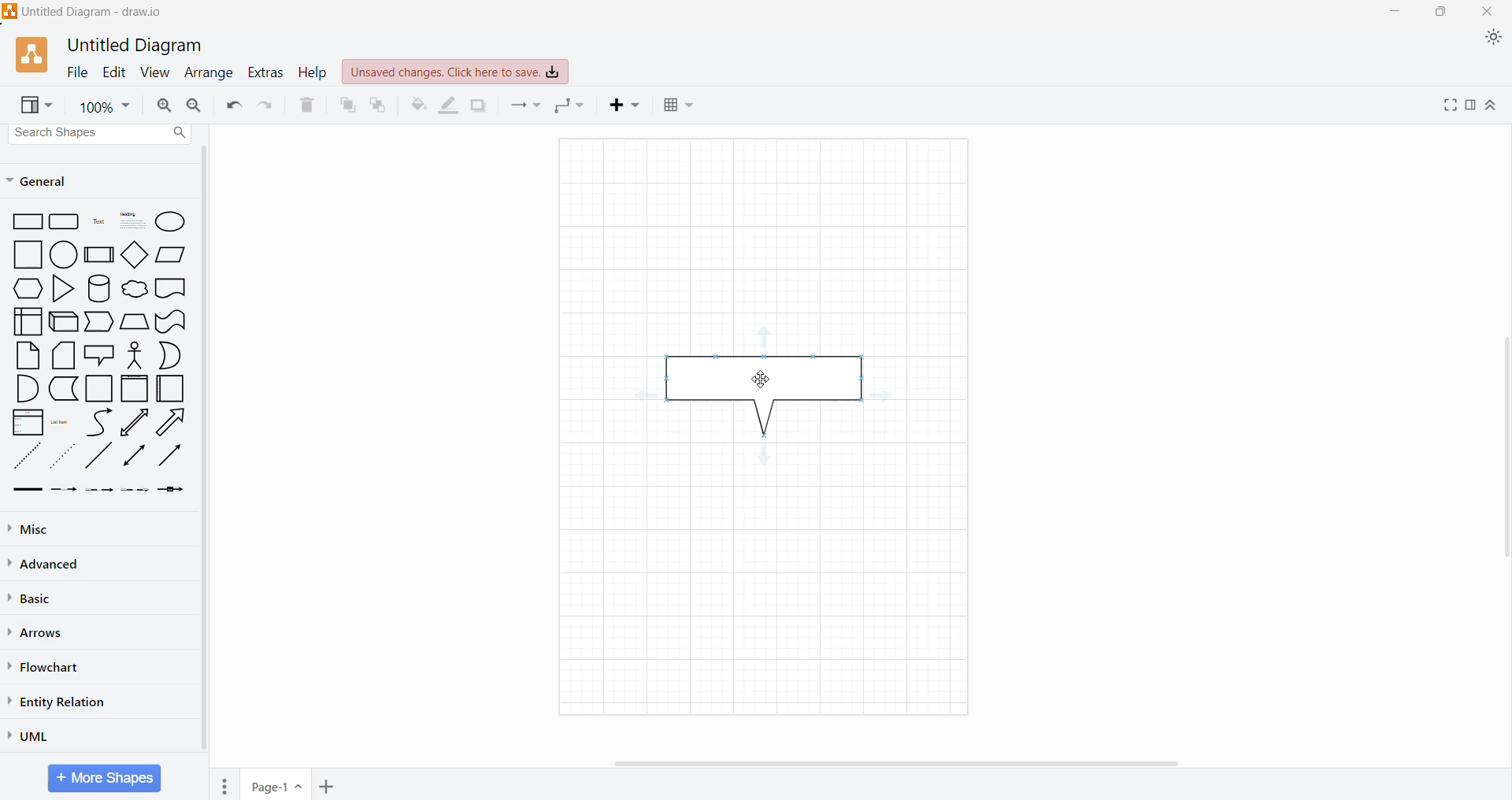  What do you see at coordinates (99, 354) in the screenshot?
I see `Speech Bubble` at bounding box center [99, 354].